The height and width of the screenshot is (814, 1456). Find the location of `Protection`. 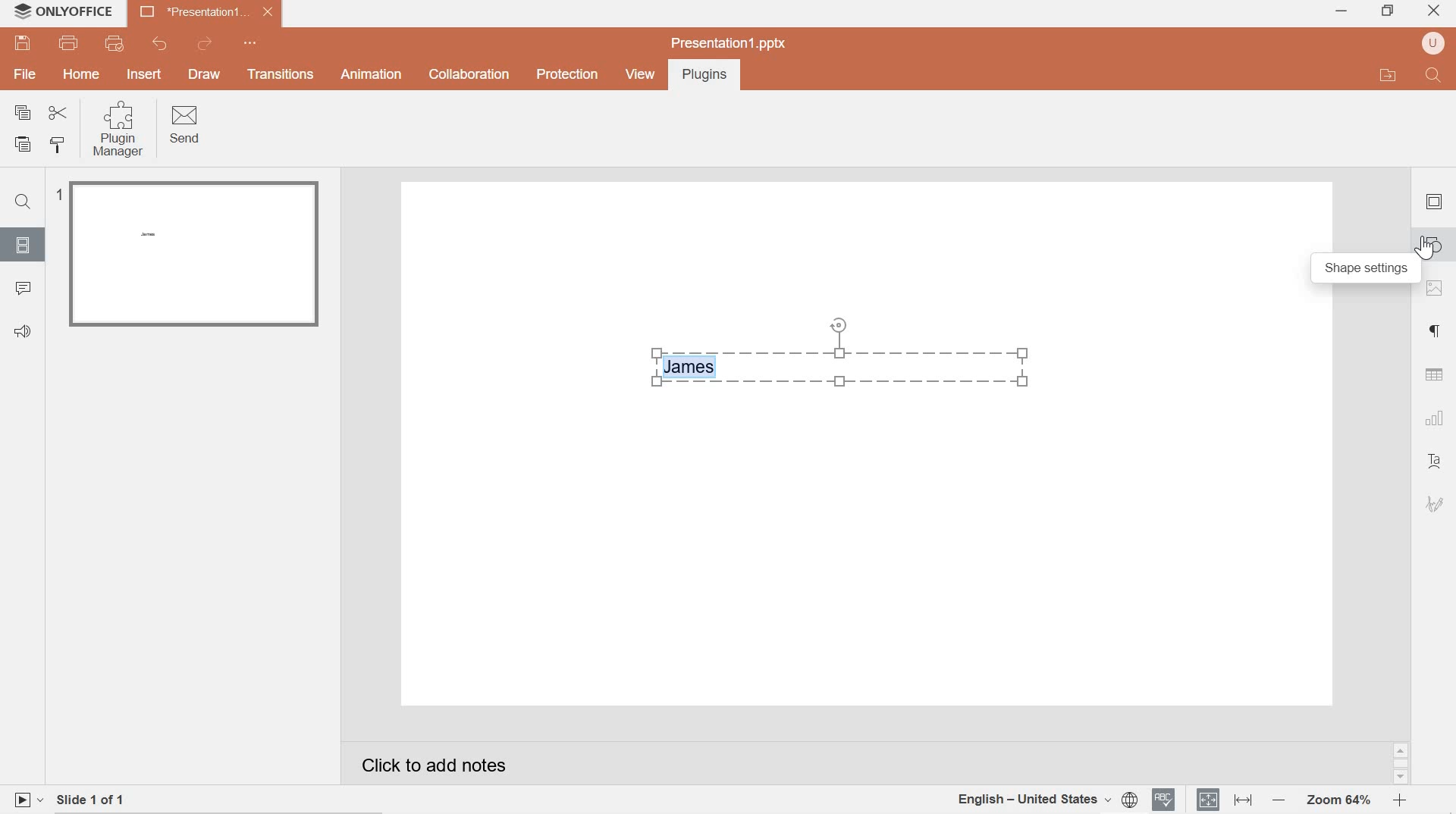

Protection is located at coordinates (566, 75).